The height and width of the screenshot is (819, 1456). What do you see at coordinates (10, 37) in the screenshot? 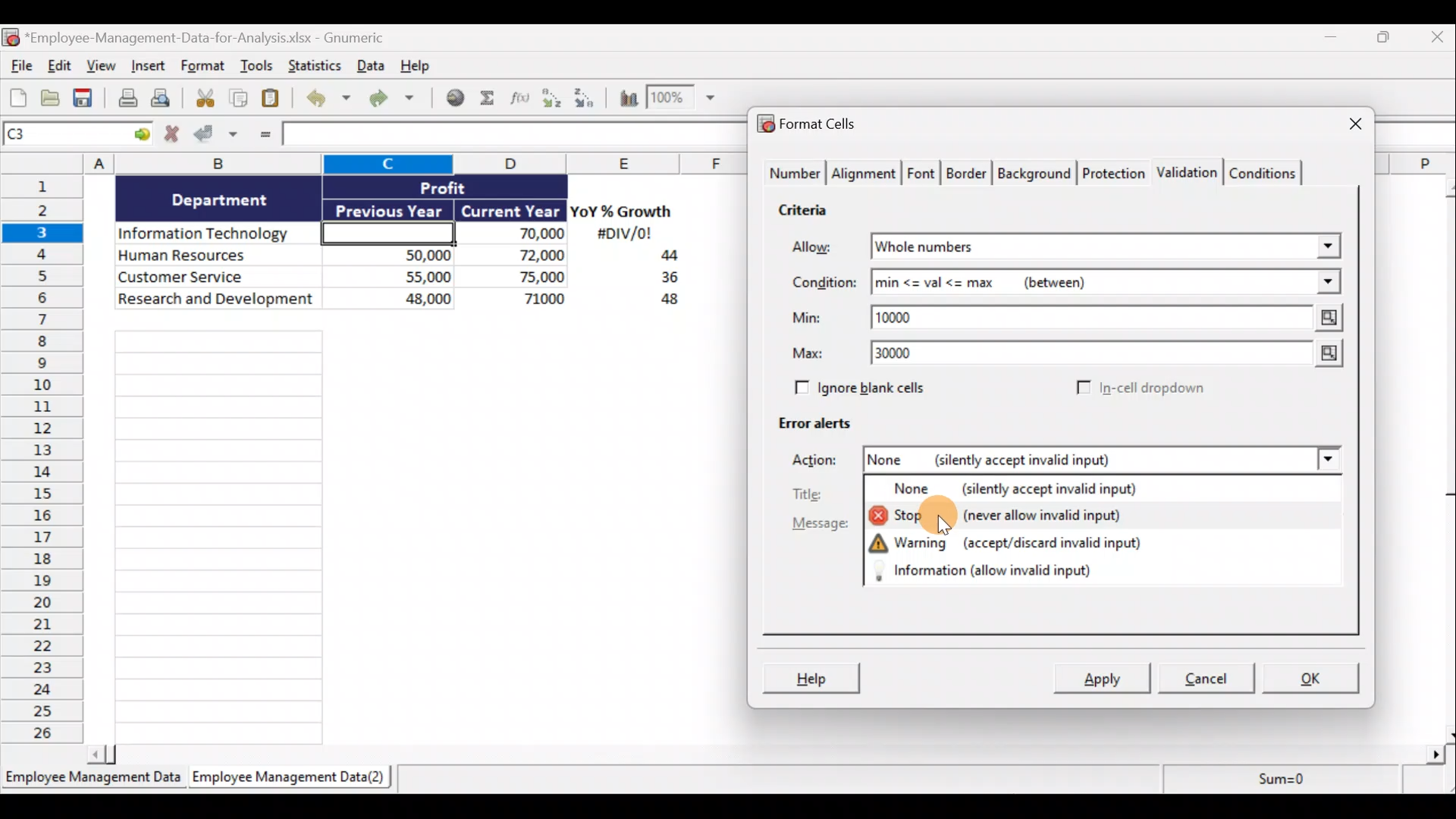
I see `Gnumeric logo` at bounding box center [10, 37].